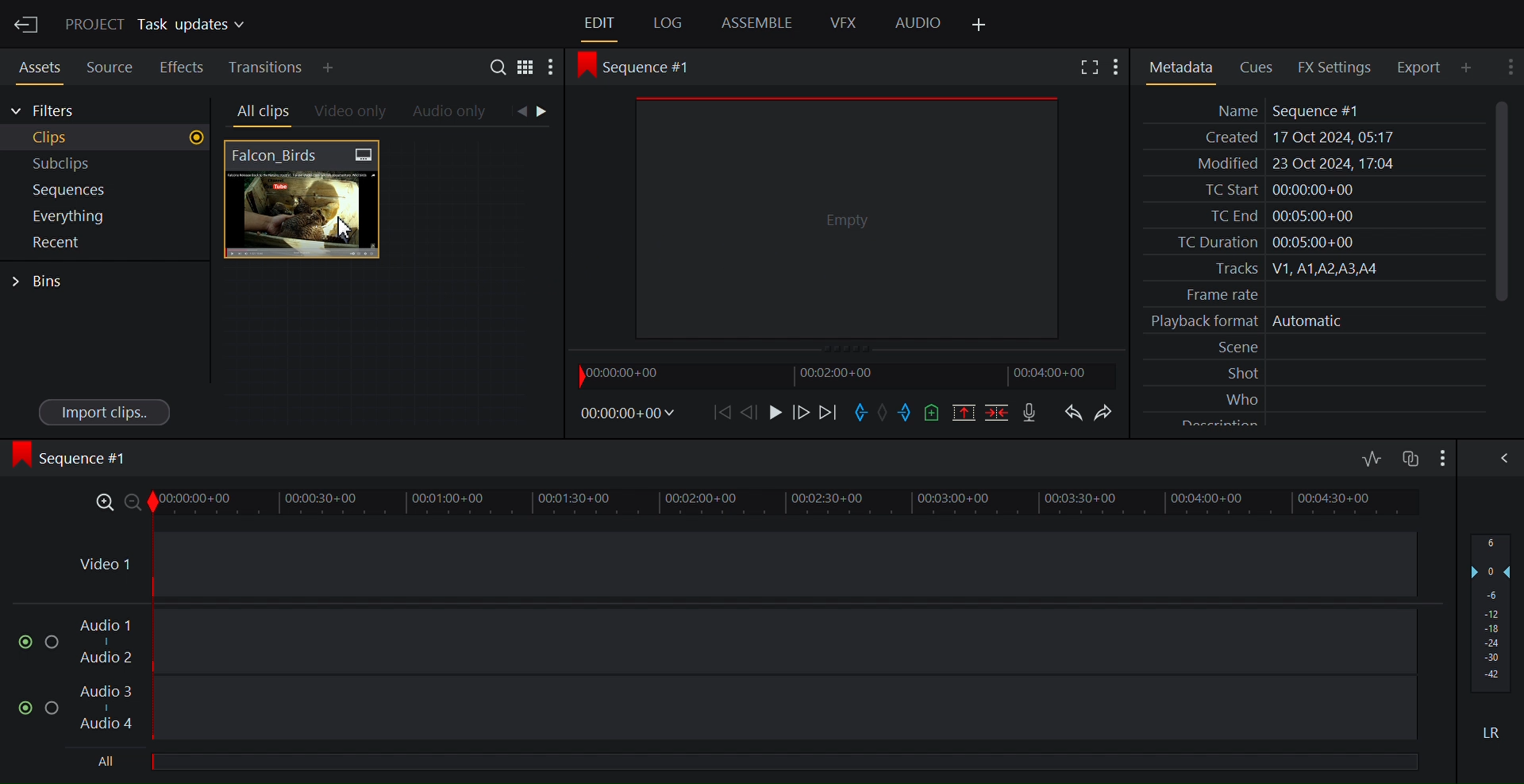 This screenshot has width=1524, height=784. I want to click on (un)mute, so click(27, 708).